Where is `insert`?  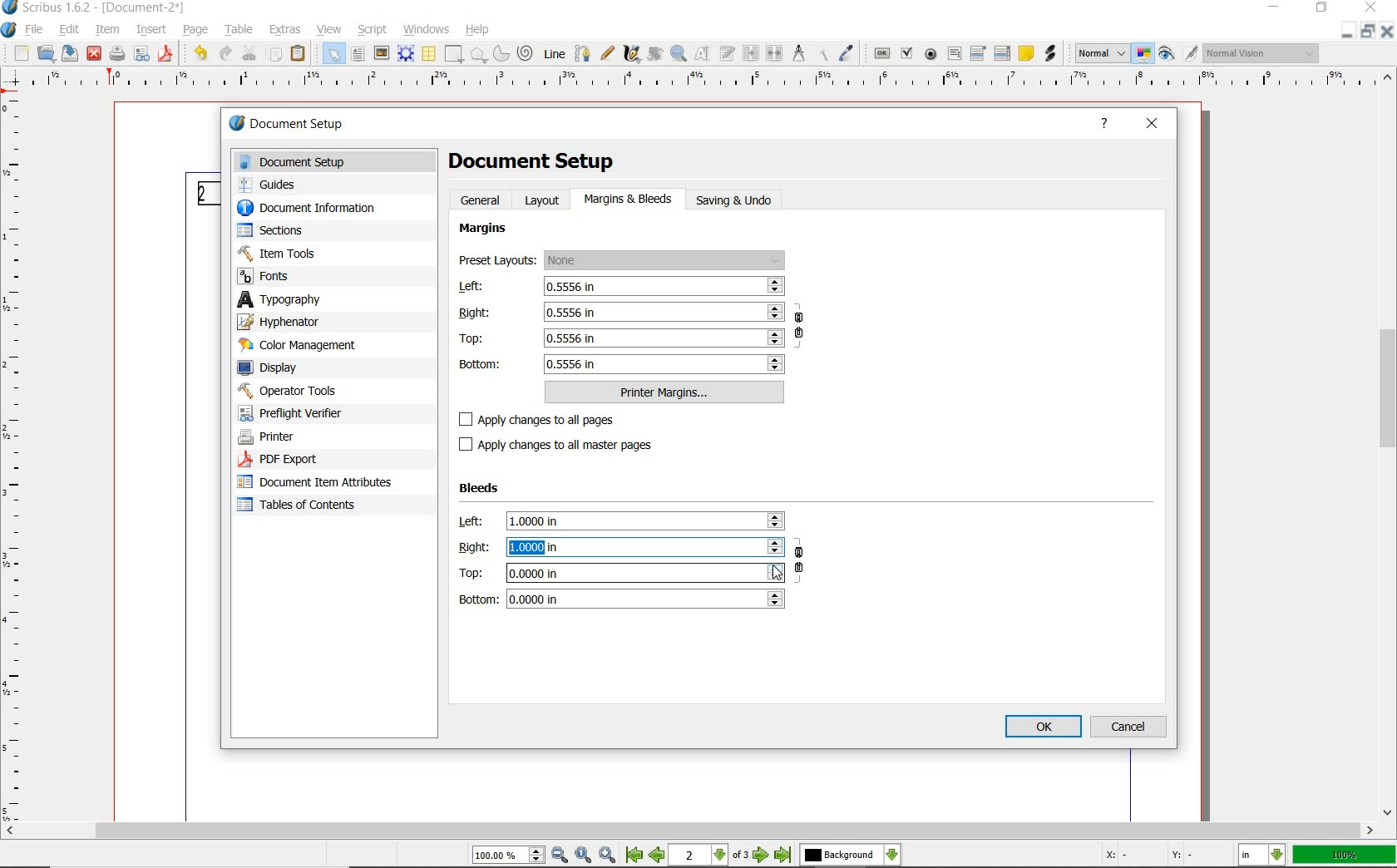 insert is located at coordinates (151, 30).